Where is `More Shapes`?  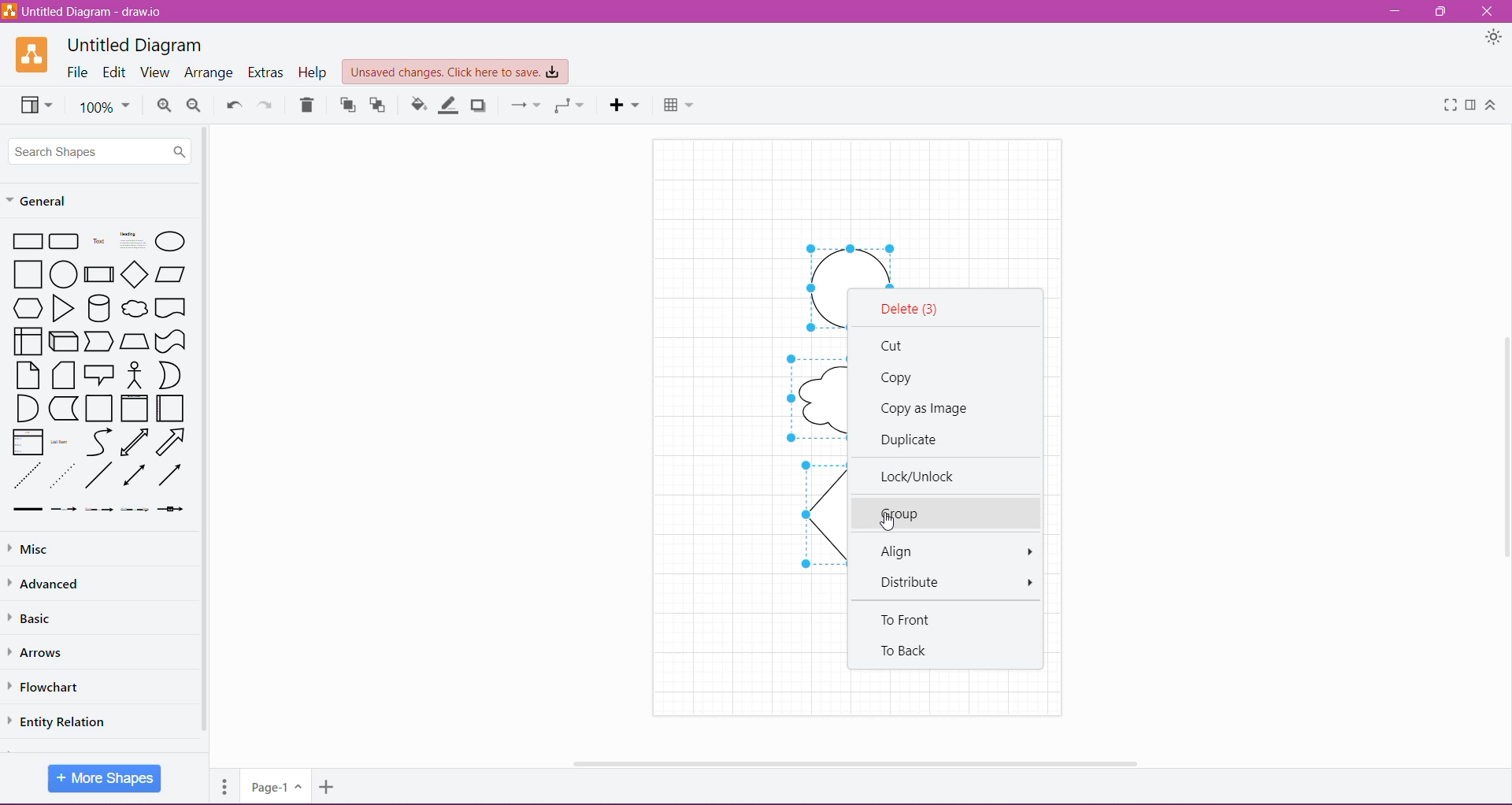 More Shapes is located at coordinates (105, 778).